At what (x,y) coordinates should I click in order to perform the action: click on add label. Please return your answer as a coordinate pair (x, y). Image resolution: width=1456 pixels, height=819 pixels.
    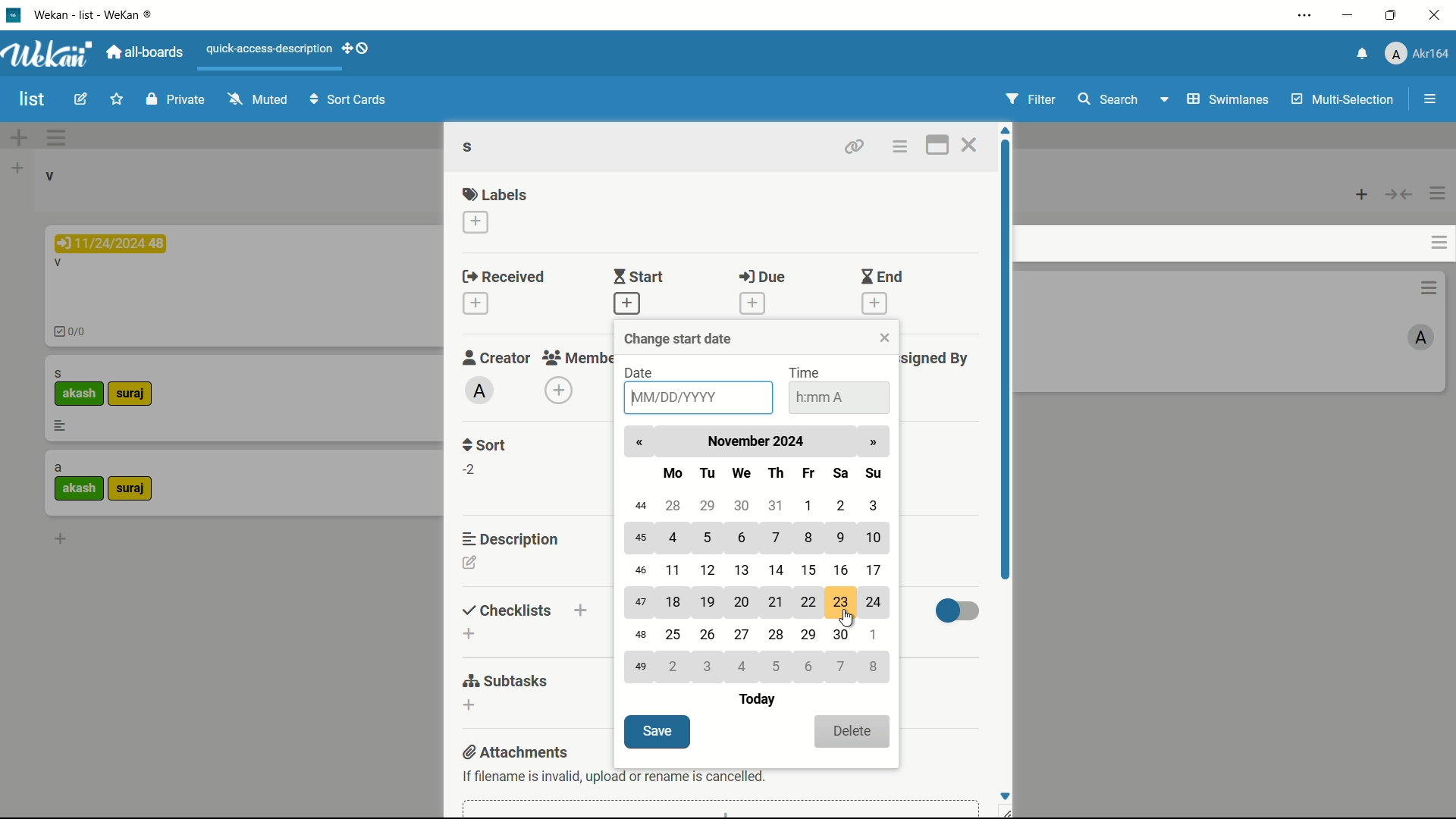
    Looking at the image, I should click on (476, 221).